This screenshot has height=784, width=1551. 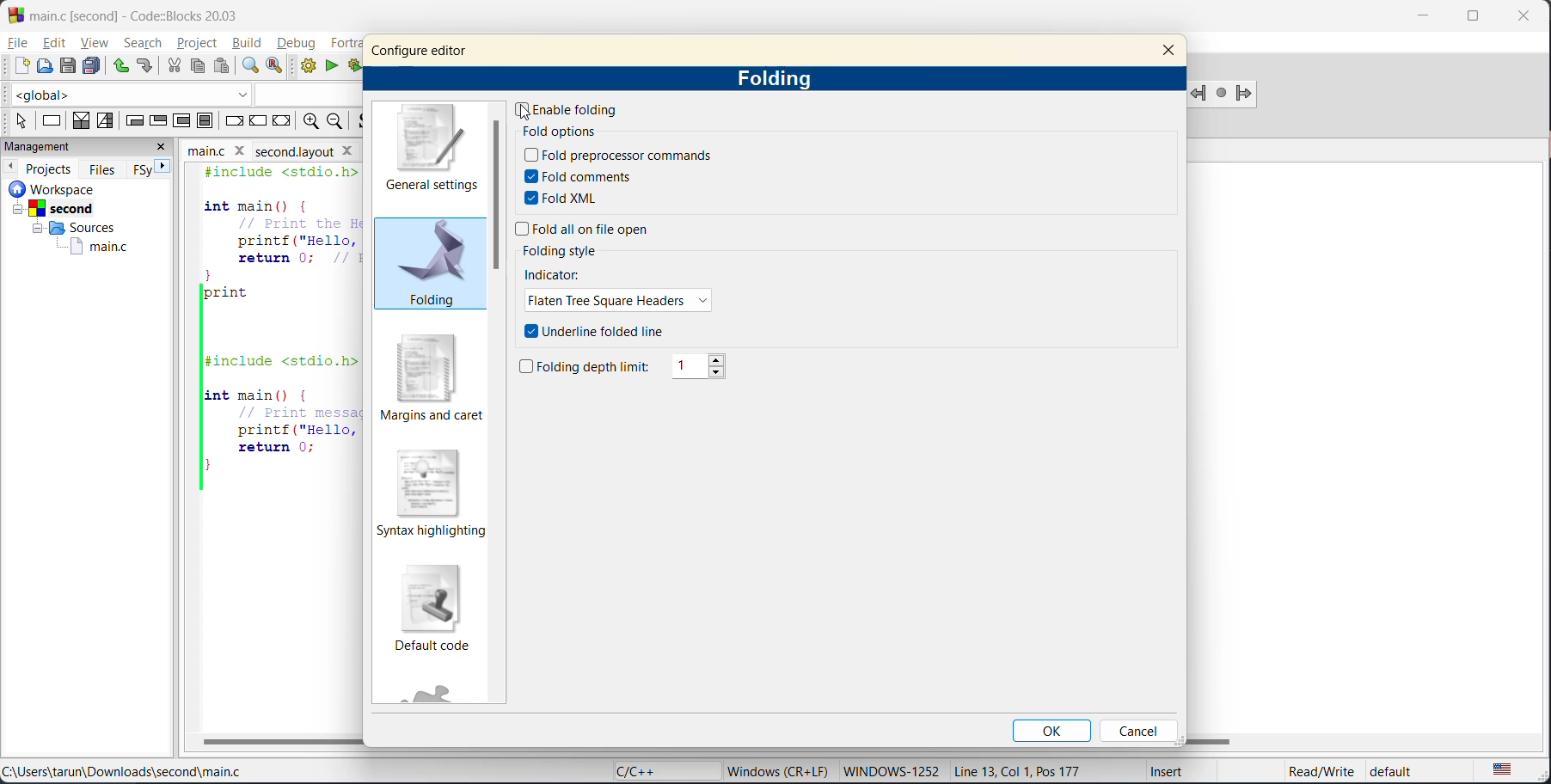 What do you see at coordinates (124, 774) in the screenshot?
I see `file location` at bounding box center [124, 774].